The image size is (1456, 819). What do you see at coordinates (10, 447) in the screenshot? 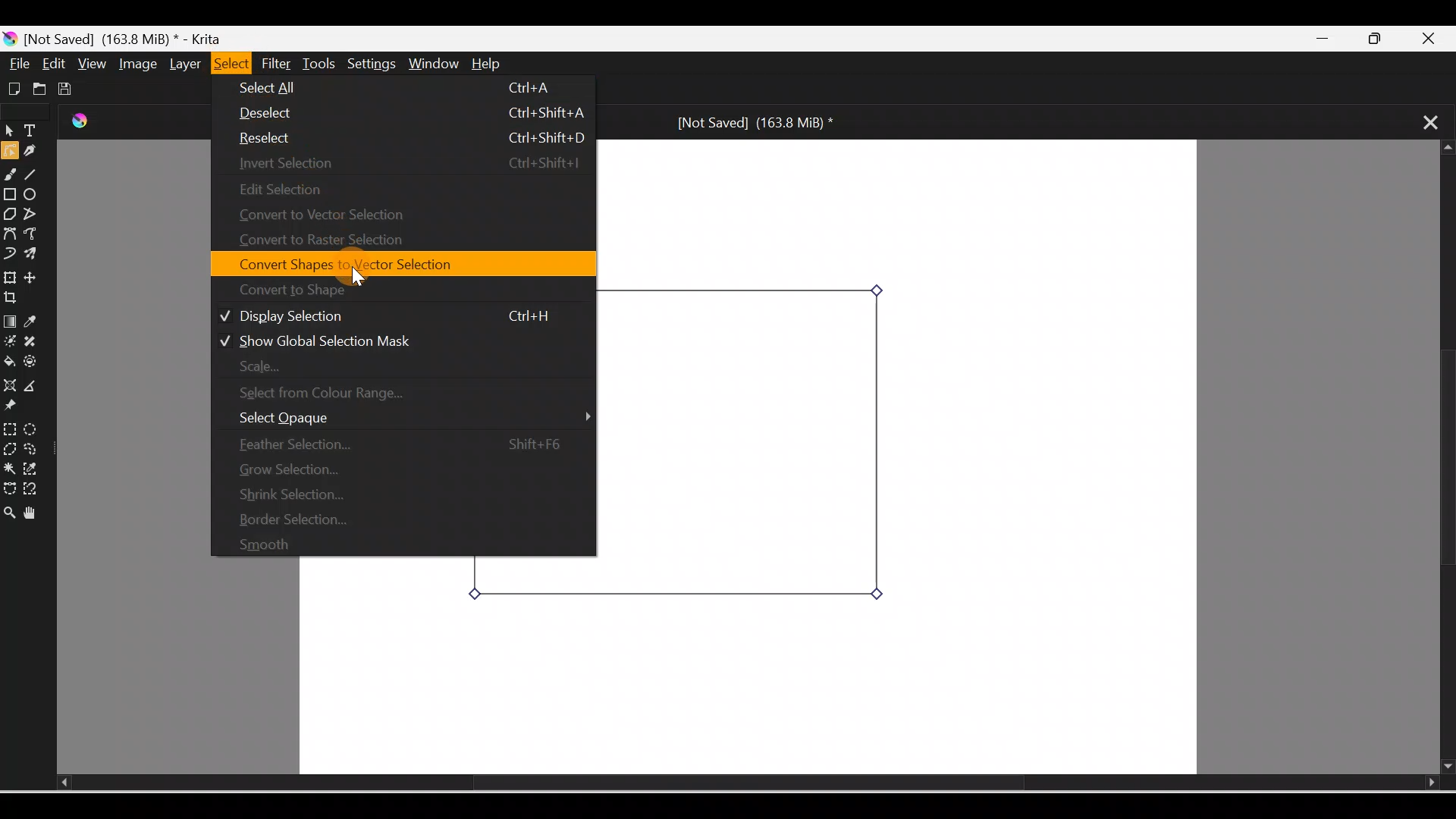
I see `Polygonal selection tool` at bounding box center [10, 447].